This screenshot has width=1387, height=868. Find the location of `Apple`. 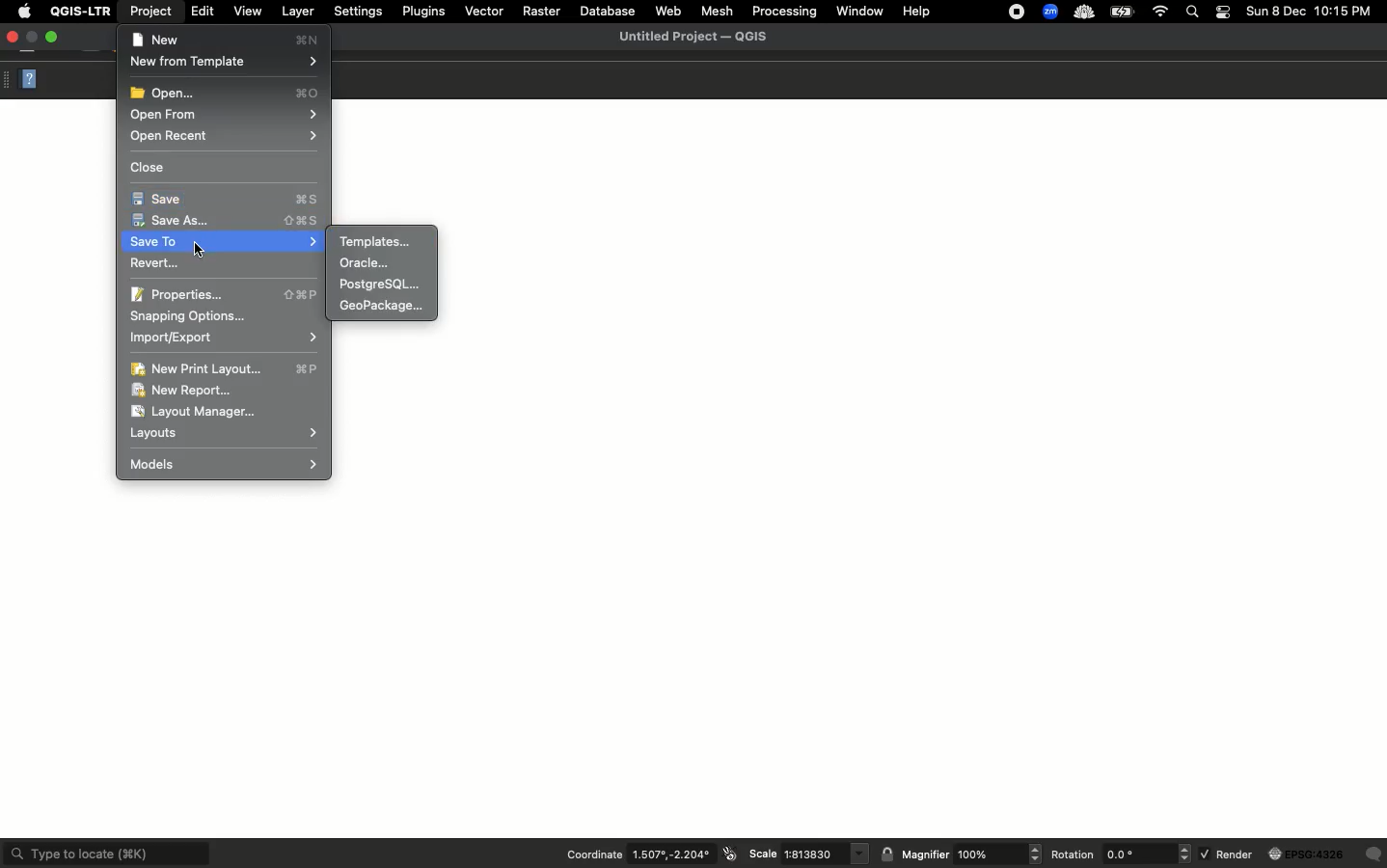

Apple is located at coordinates (23, 12).